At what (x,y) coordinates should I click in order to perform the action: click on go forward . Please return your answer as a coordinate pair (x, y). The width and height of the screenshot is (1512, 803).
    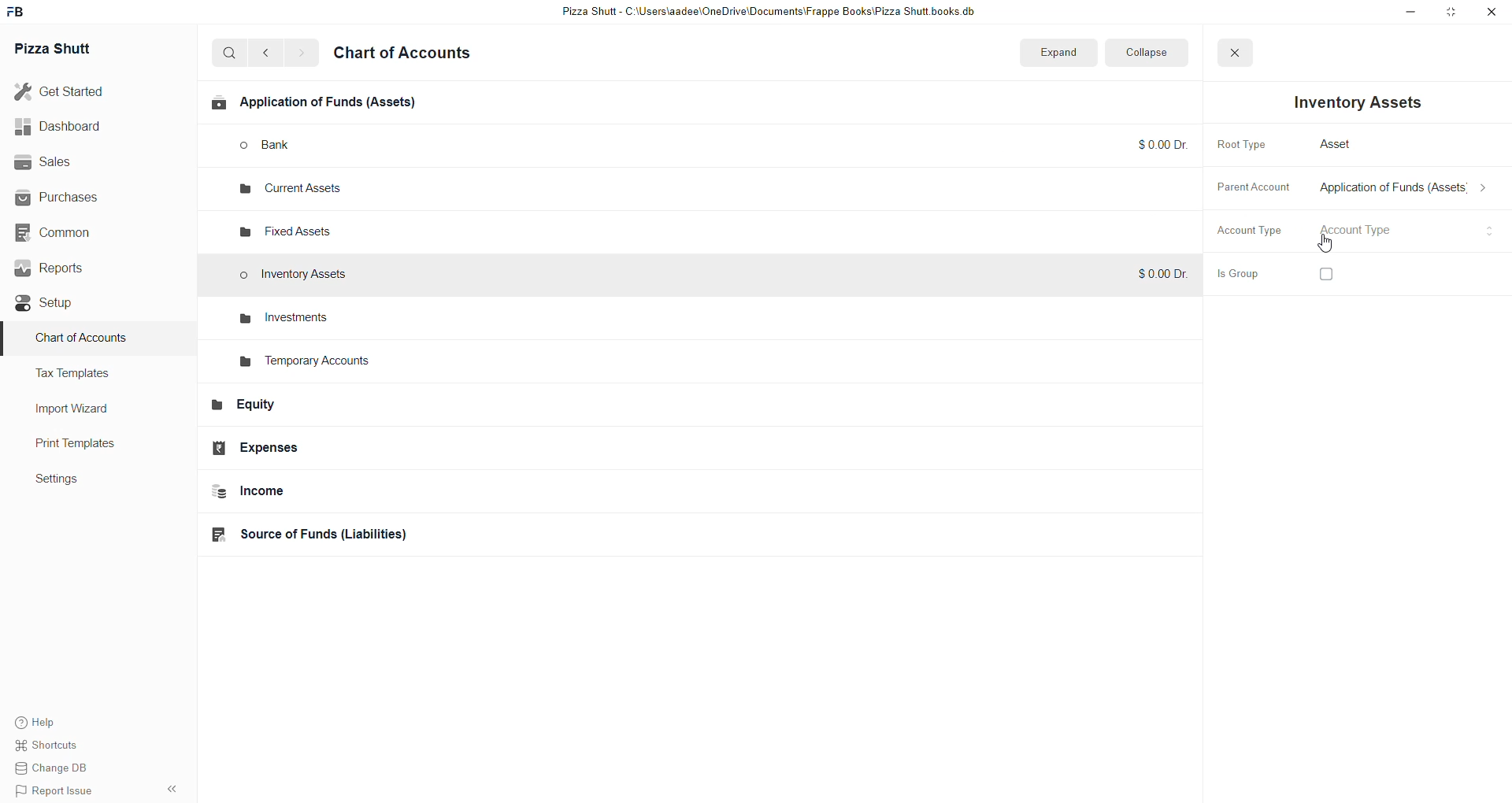
    Looking at the image, I should click on (301, 54).